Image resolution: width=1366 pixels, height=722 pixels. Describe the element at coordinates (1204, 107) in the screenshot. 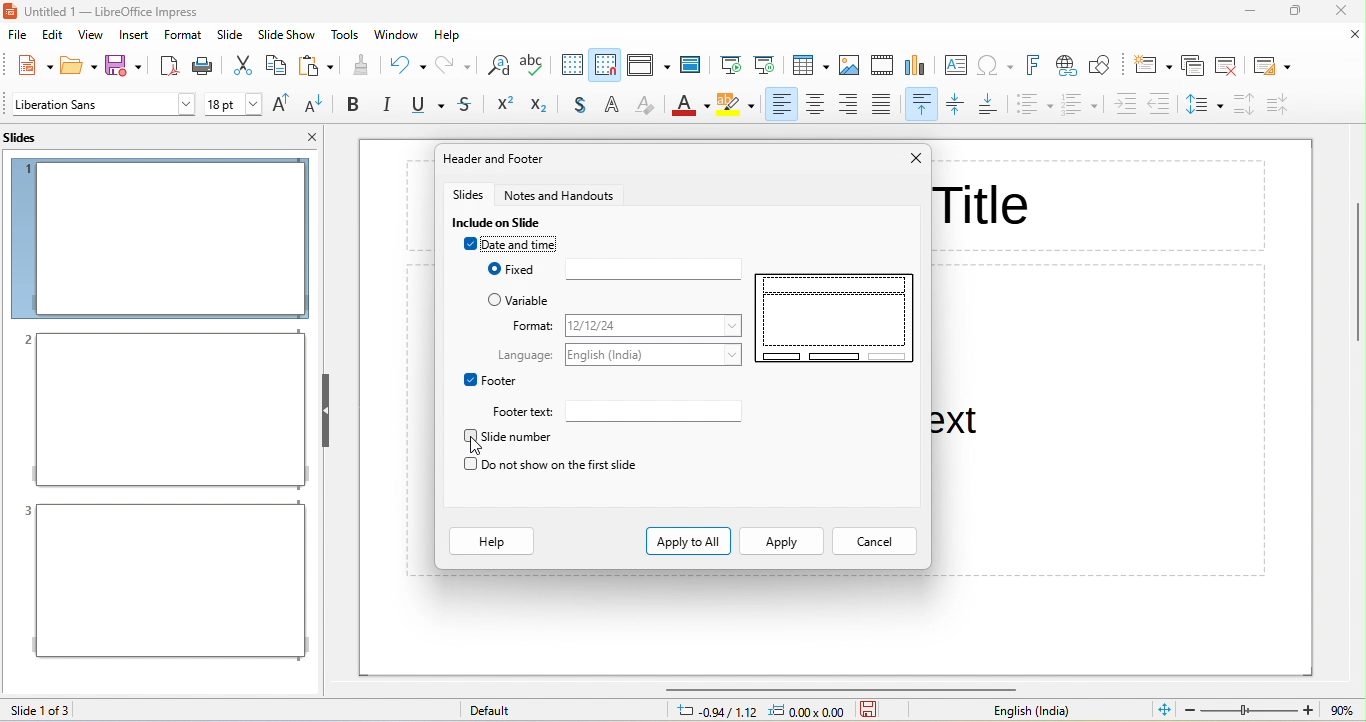

I see `set line spacing` at that location.